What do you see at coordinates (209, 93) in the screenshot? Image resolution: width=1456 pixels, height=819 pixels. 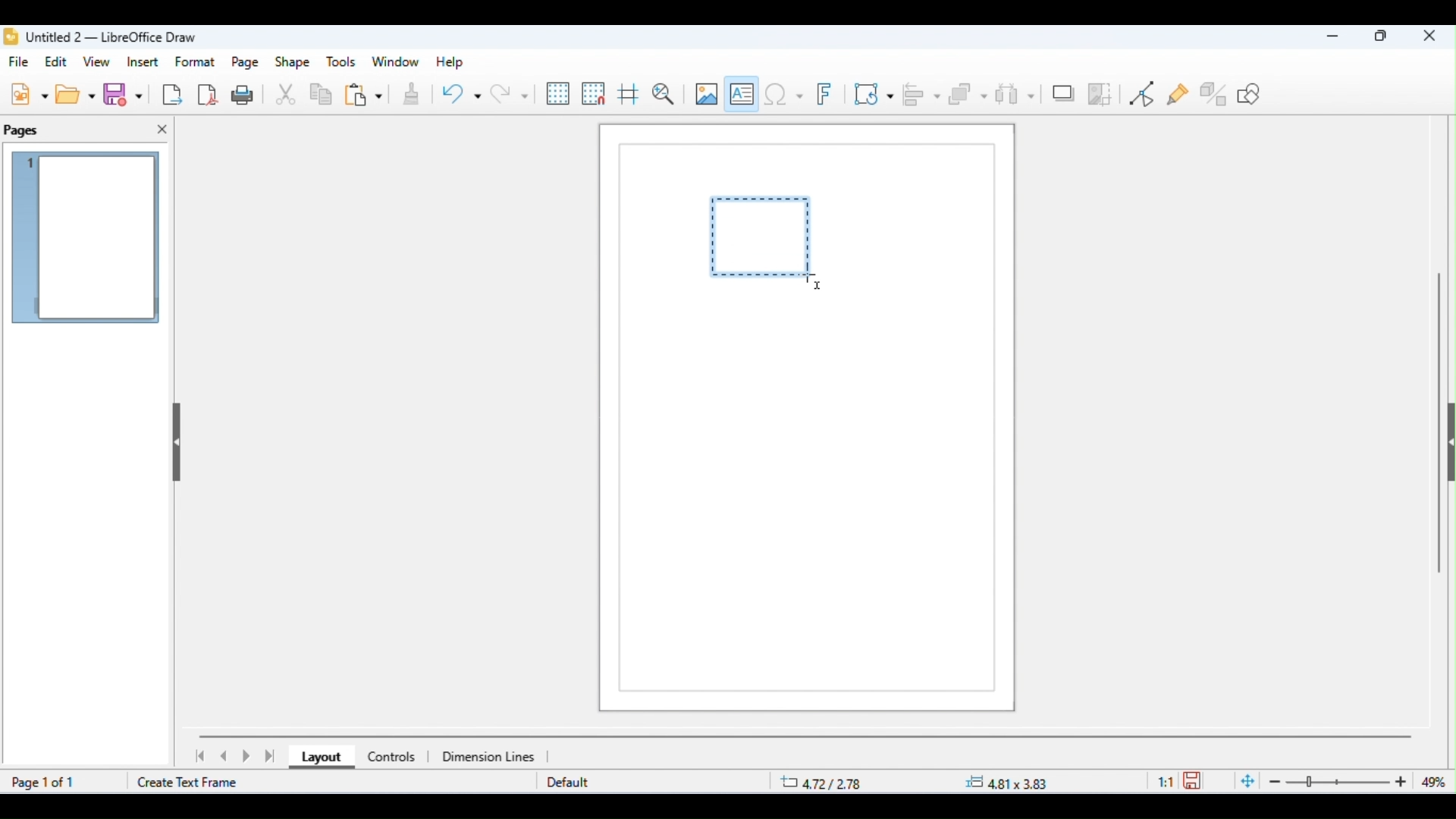 I see `export as pdf` at bounding box center [209, 93].